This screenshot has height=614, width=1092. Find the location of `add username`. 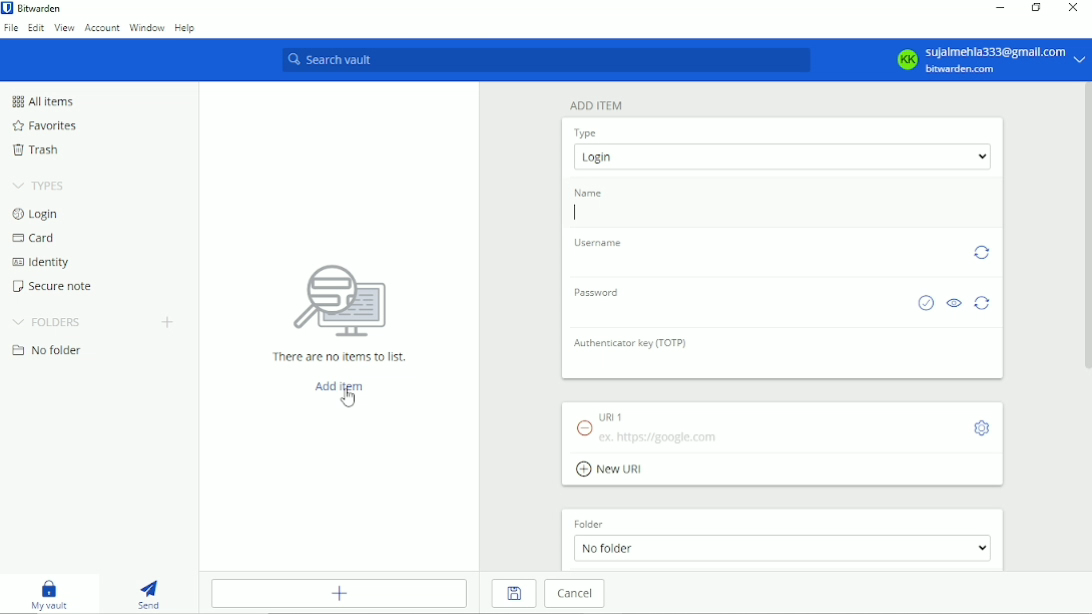

add username is located at coordinates (764, 261).